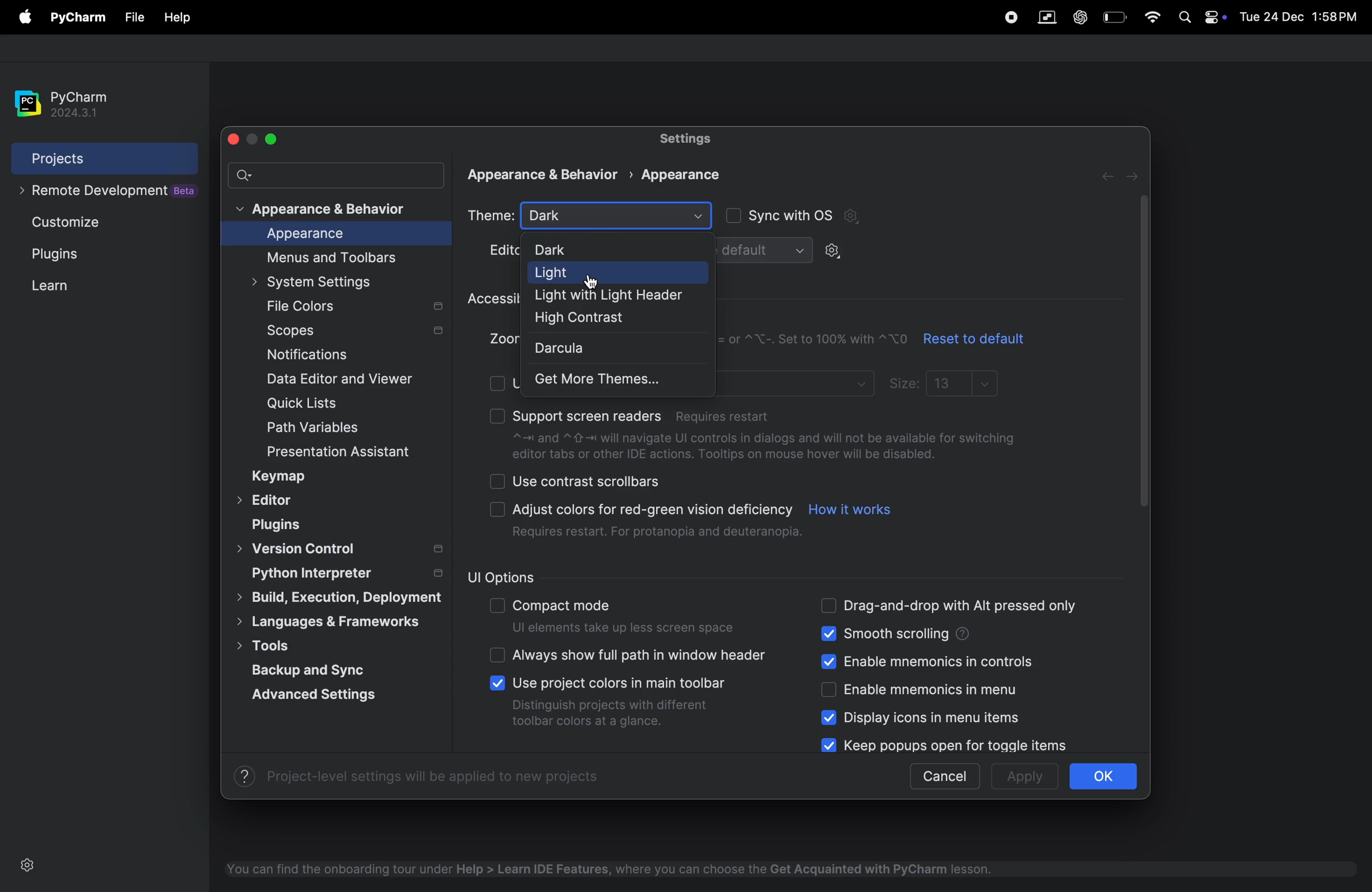 Image resolution: width=1372 pixels, height=892 pixels. What do you see at coordinates (275, 138) in the screenshot?
I see `maximize` at bounding box center [275, 138].